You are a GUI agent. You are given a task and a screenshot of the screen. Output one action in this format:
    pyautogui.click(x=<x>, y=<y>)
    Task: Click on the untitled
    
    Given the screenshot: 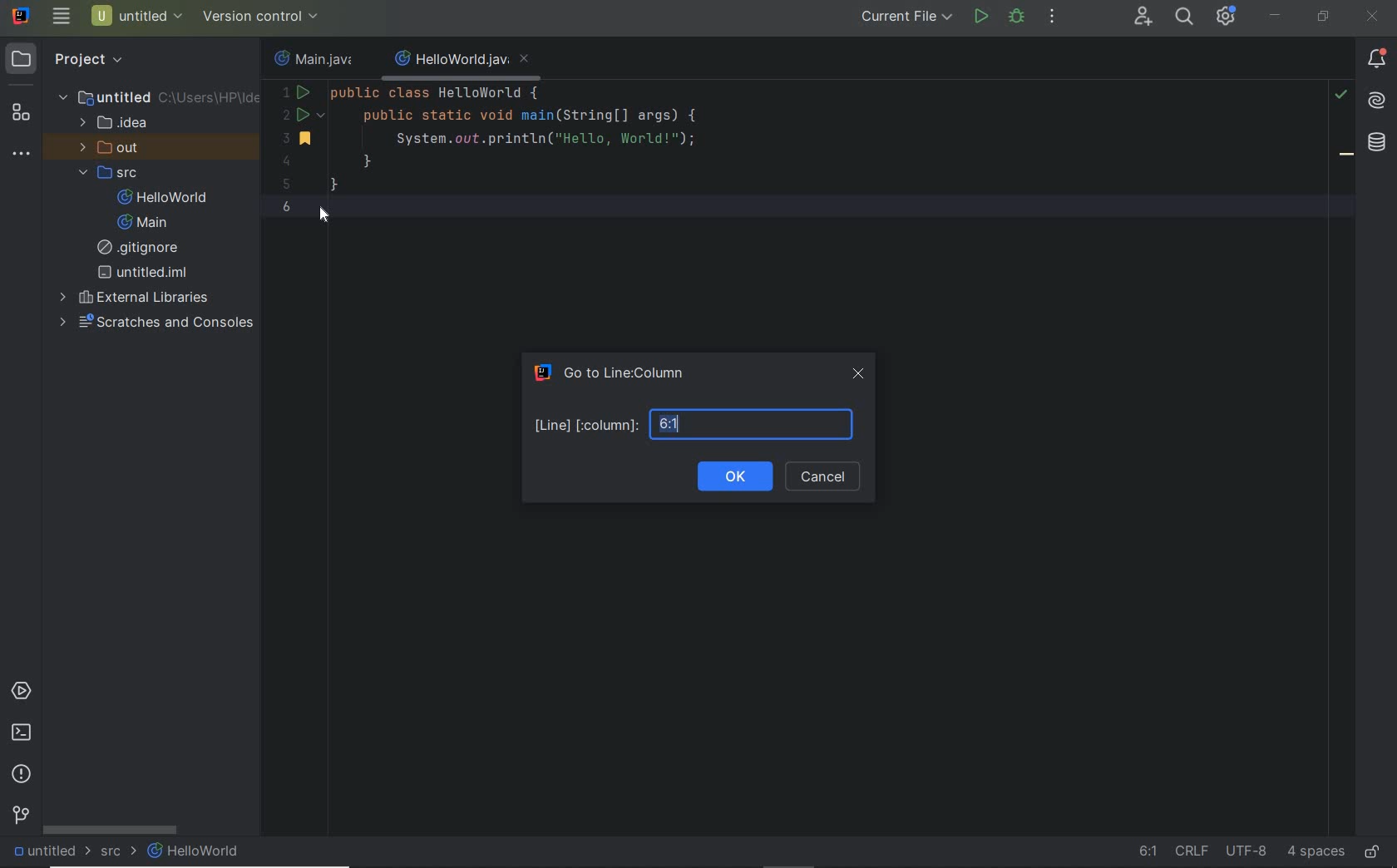 What is the action you would take?
    pyautogui.click(x=143, y=273)
    